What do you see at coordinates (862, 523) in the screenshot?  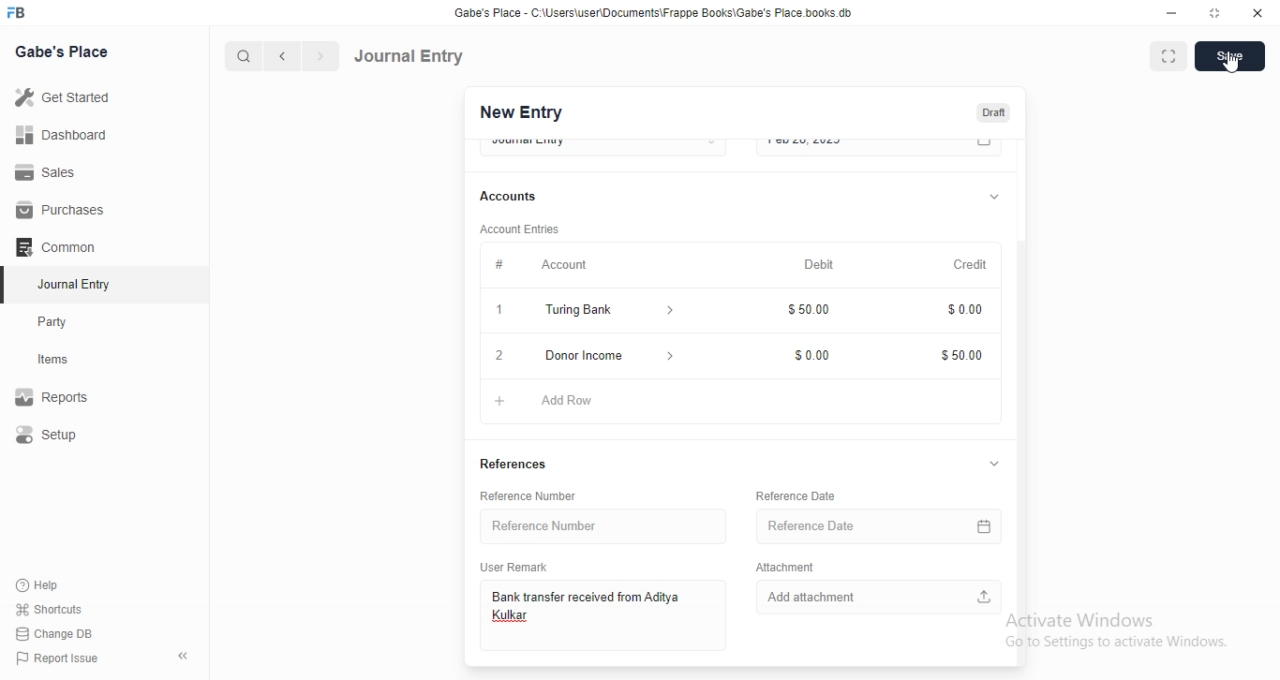 I see `Reference Date` at bounding box center [862, 523].